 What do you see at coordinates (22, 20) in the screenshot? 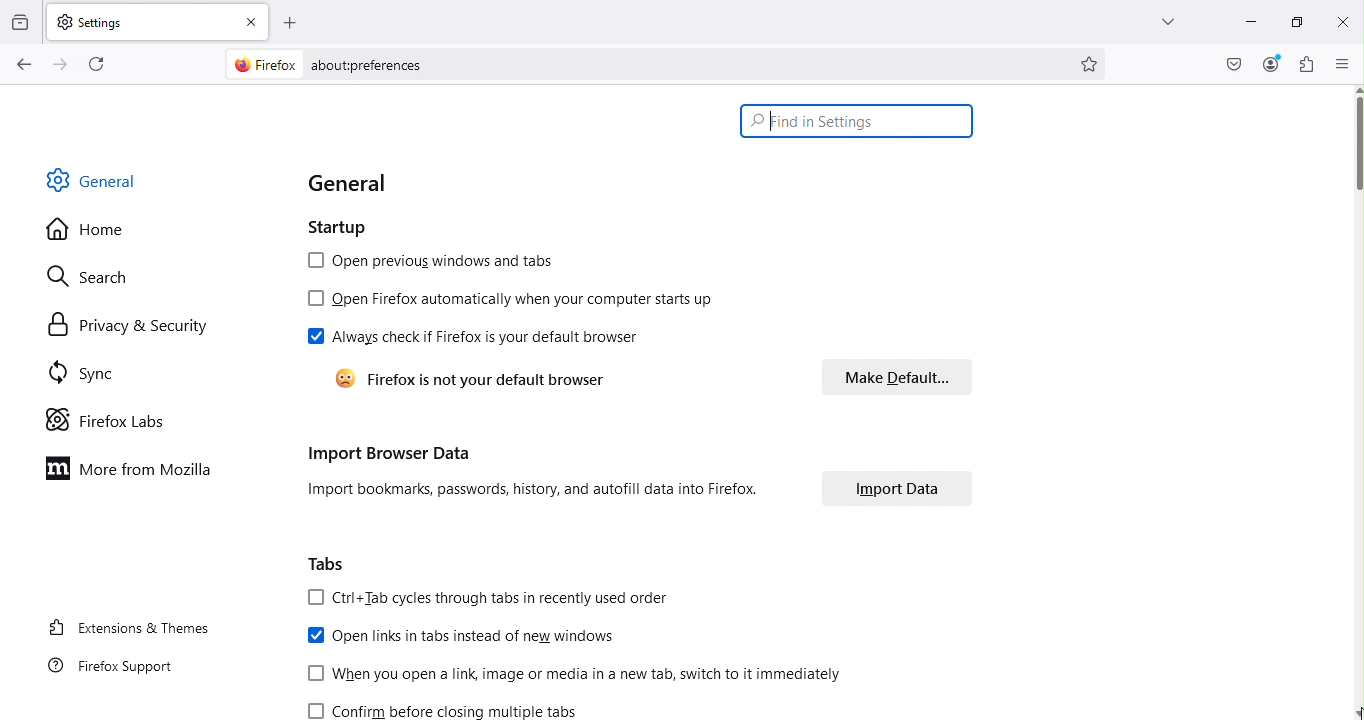
I see `View recent browsing across windows and devices` at bounding box center [22, 20].